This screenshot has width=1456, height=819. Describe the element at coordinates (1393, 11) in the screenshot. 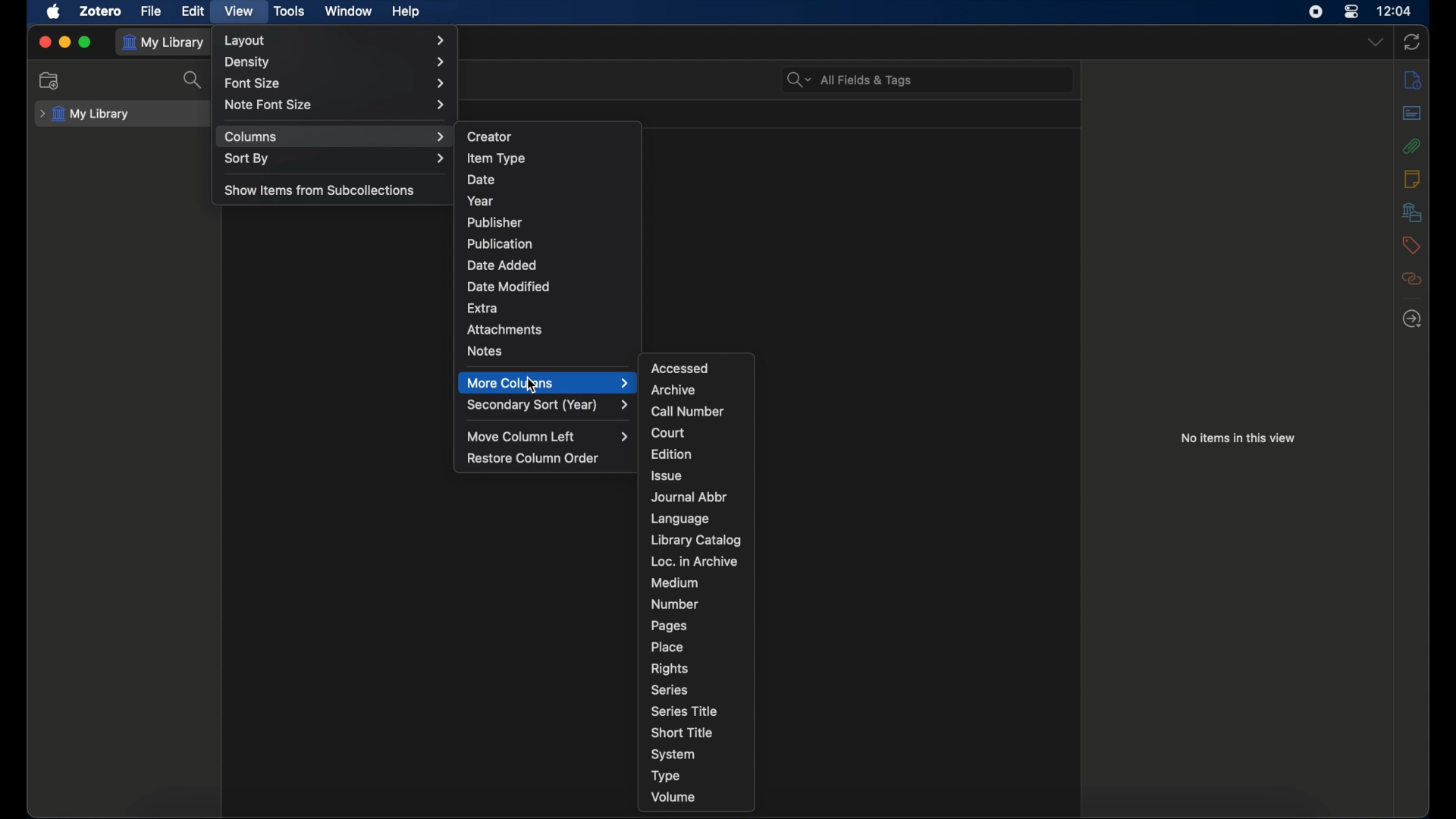

I see `time` at that location.